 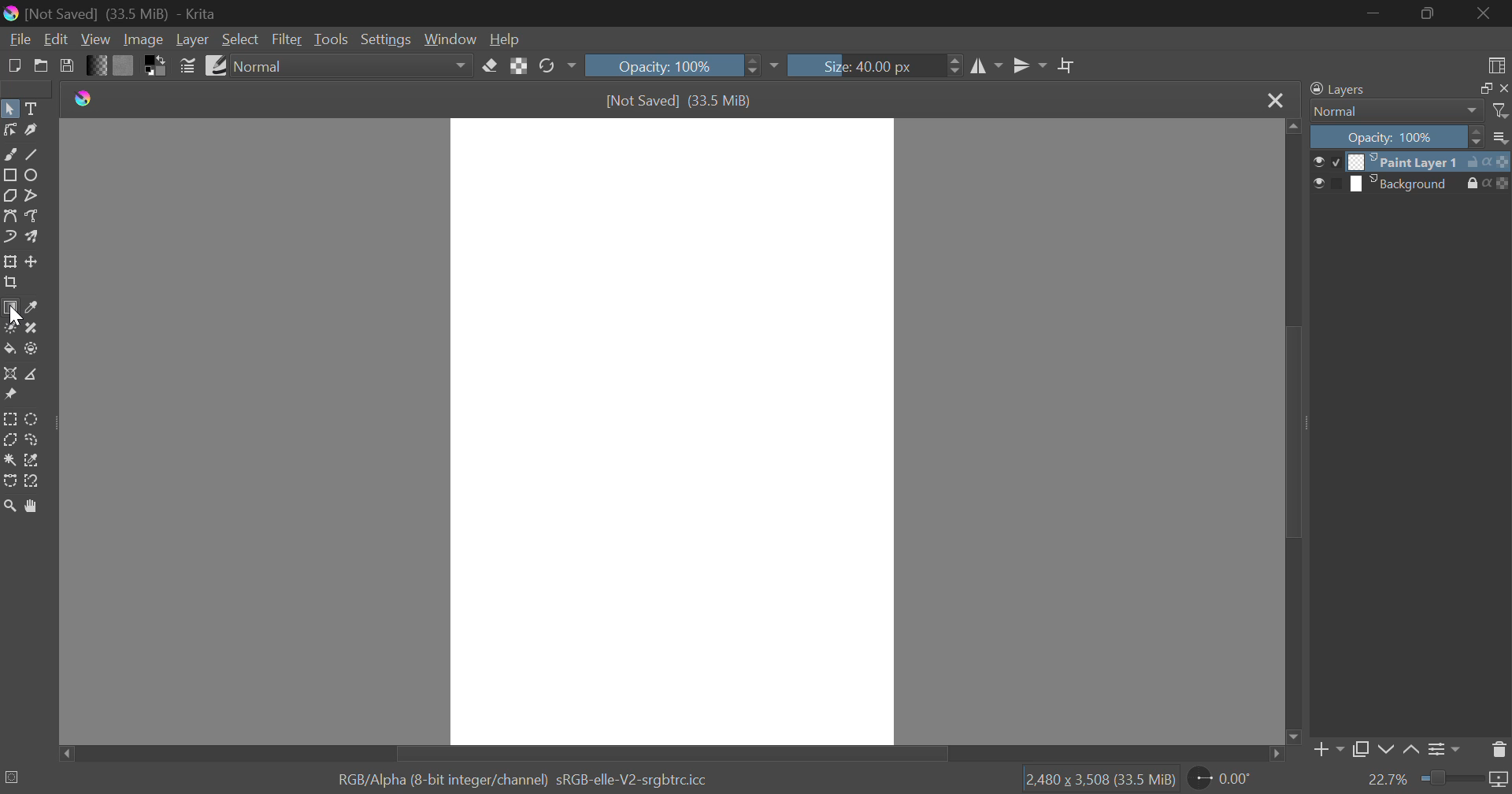 What do you see at coordinates (9, 175) in the screenshot?
I see `Rectangle` at bounding box center [9, 175].